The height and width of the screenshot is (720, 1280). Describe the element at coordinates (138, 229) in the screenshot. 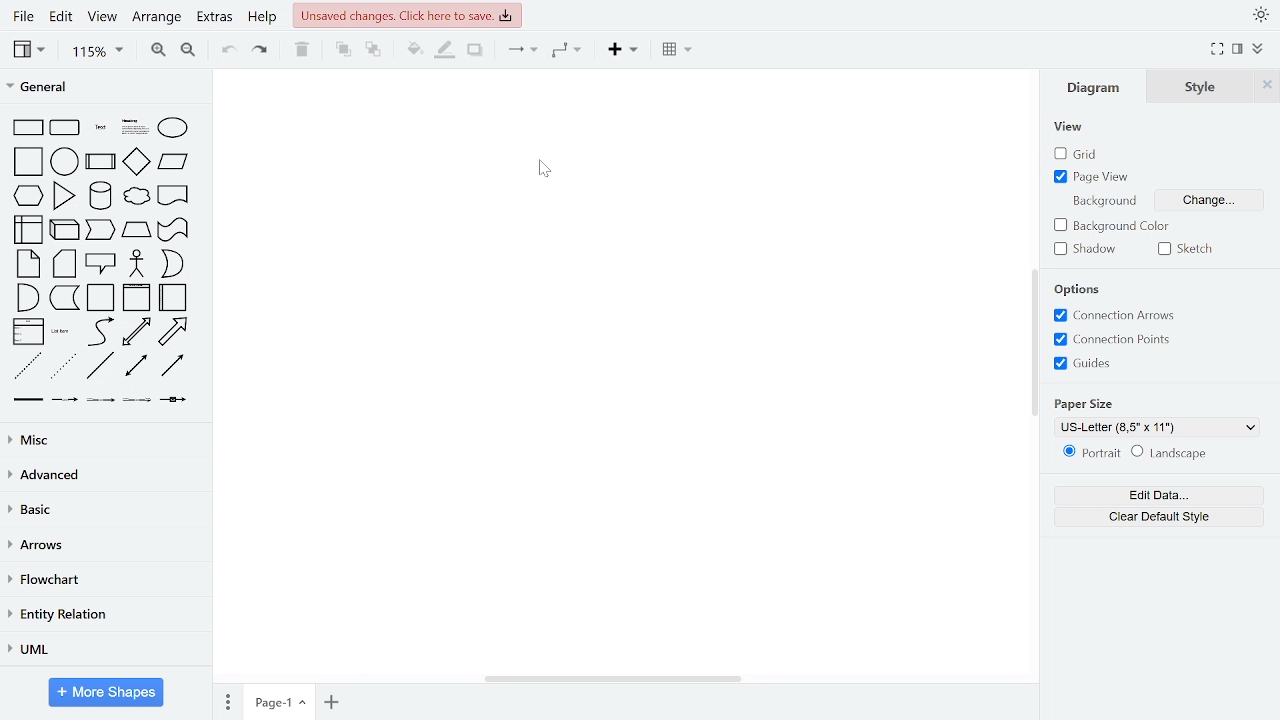

I see `trapezoid` at that location.